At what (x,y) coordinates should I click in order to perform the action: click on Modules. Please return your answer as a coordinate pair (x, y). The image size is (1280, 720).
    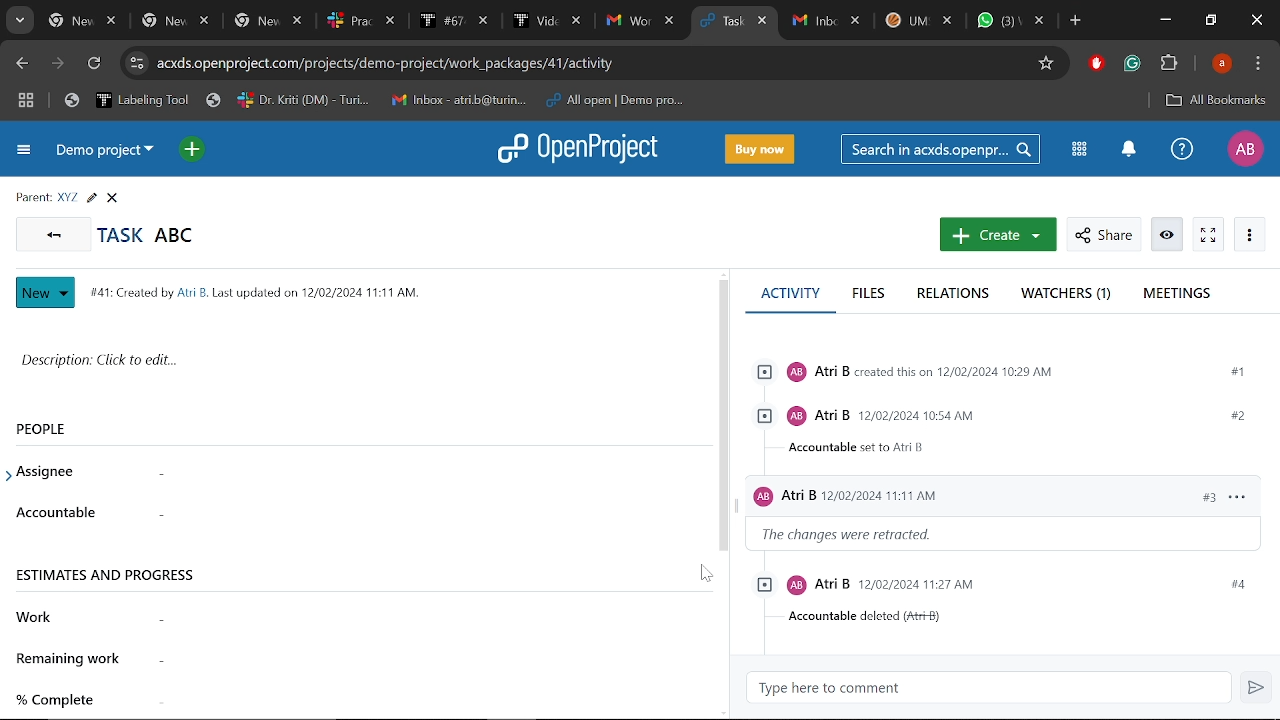
    Looking at the image, I should click on (1076, 148).